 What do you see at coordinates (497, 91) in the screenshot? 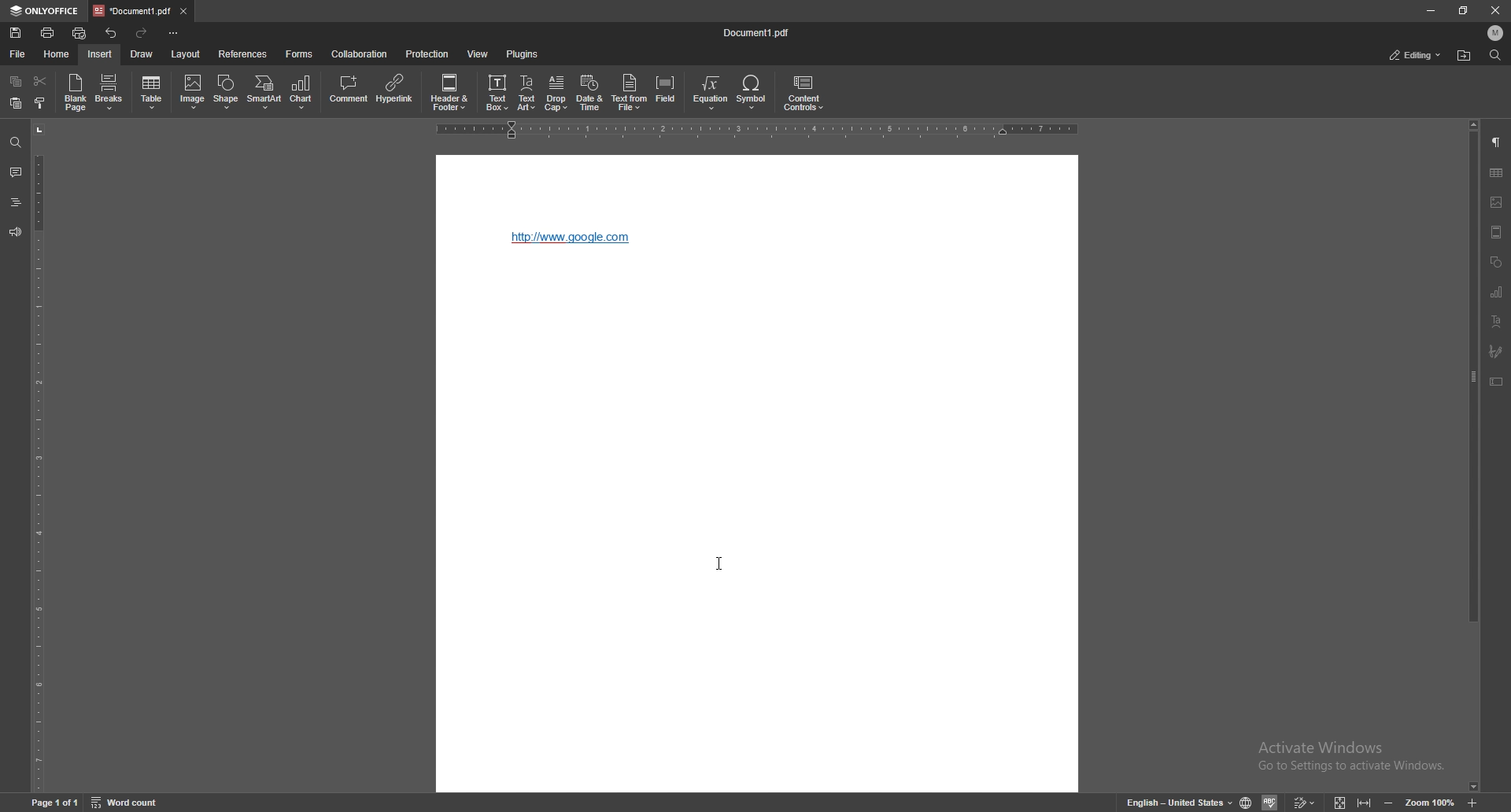
I see `text box` at bounding box center [497, 91].